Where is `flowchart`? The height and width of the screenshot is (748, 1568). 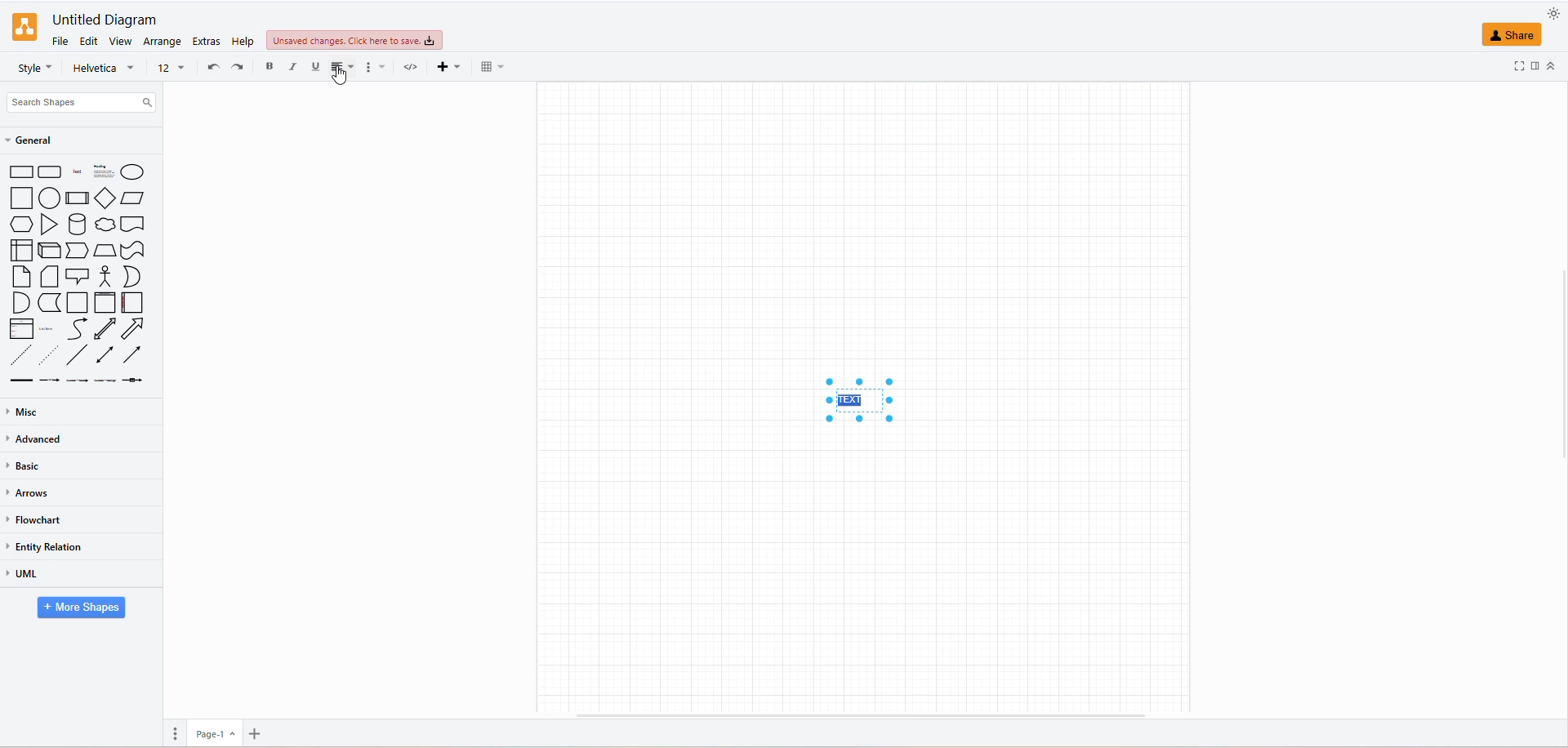 flowchart is located at coordinates (37, 519).